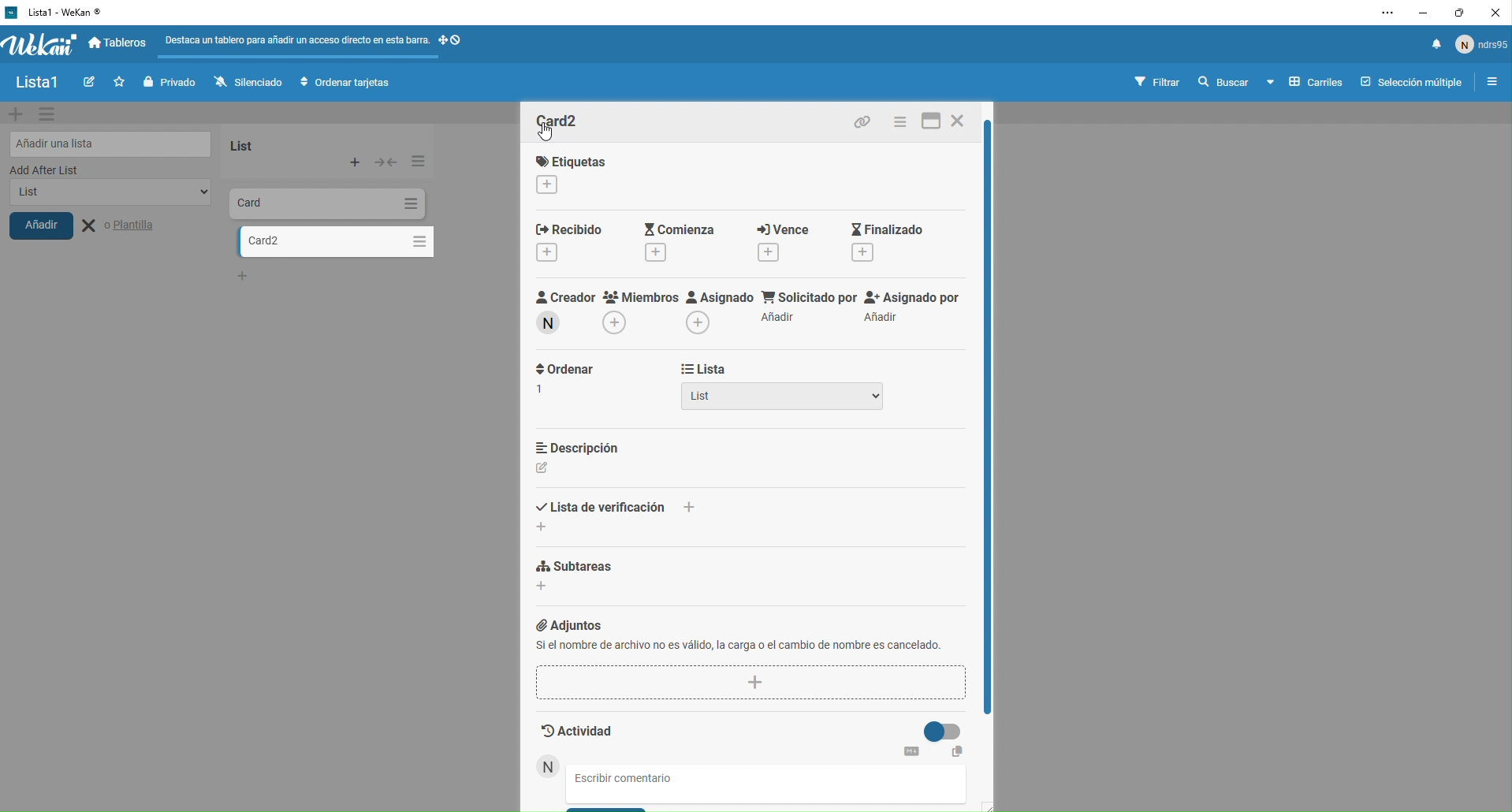  What do you see at coordinates (744, 370) in the screenshot?
I see `lista` at bounding box center [744, 370].